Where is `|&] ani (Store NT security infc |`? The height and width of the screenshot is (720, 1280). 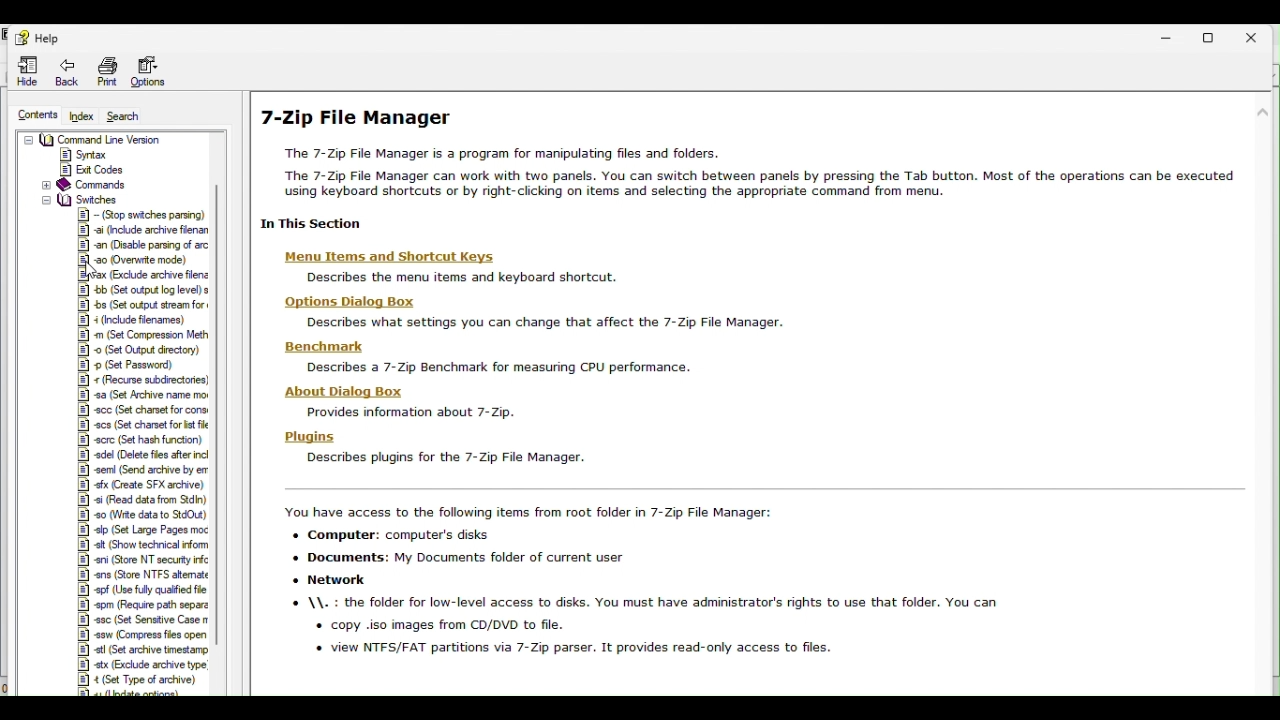
|&] ani (Store NT security infc | is located at coordinates (146, 558).